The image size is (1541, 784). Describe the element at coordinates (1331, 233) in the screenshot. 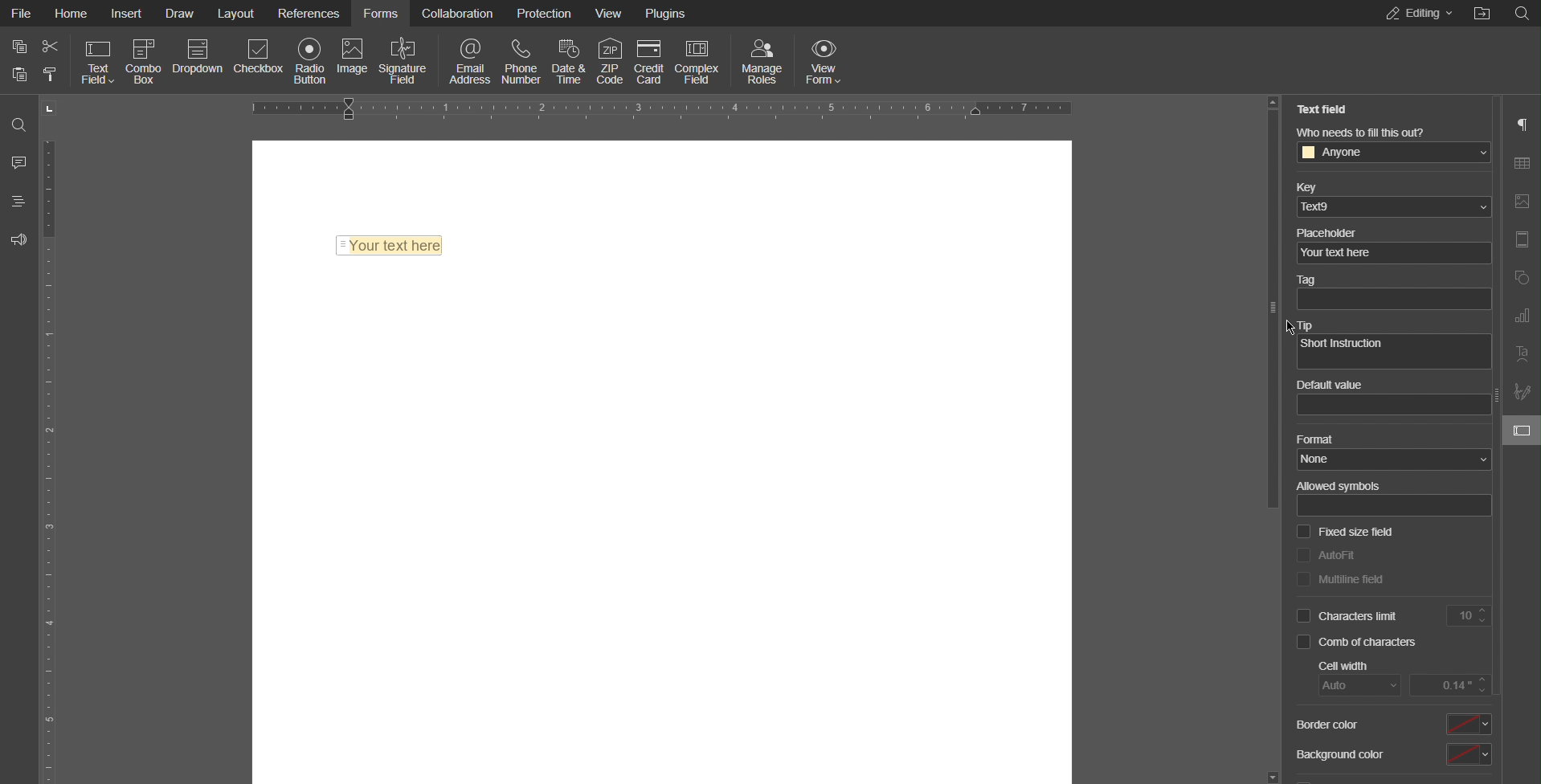

I see `Placeholder` at that location.